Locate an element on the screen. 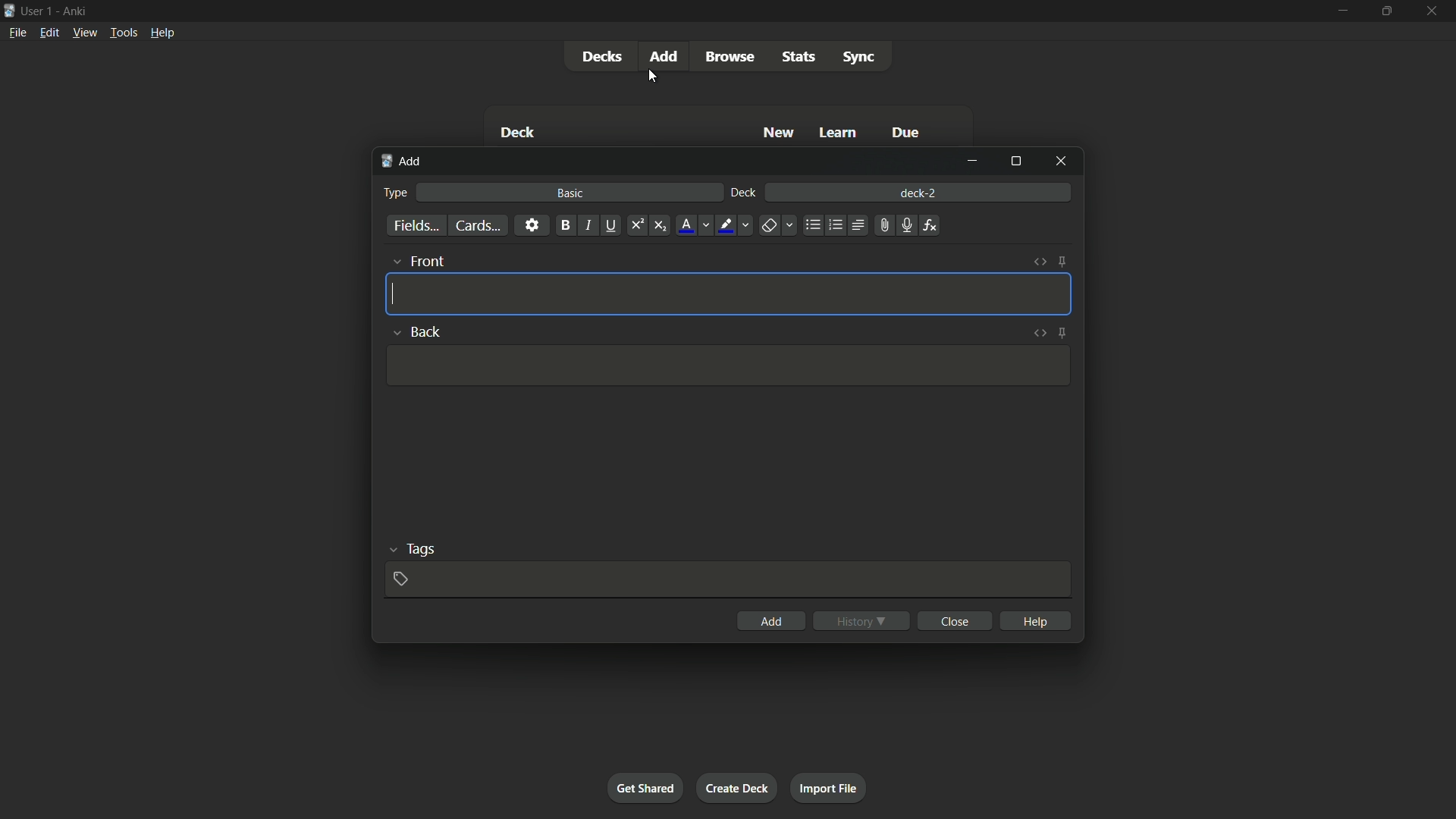  italic is located at coordinates (587, 226).